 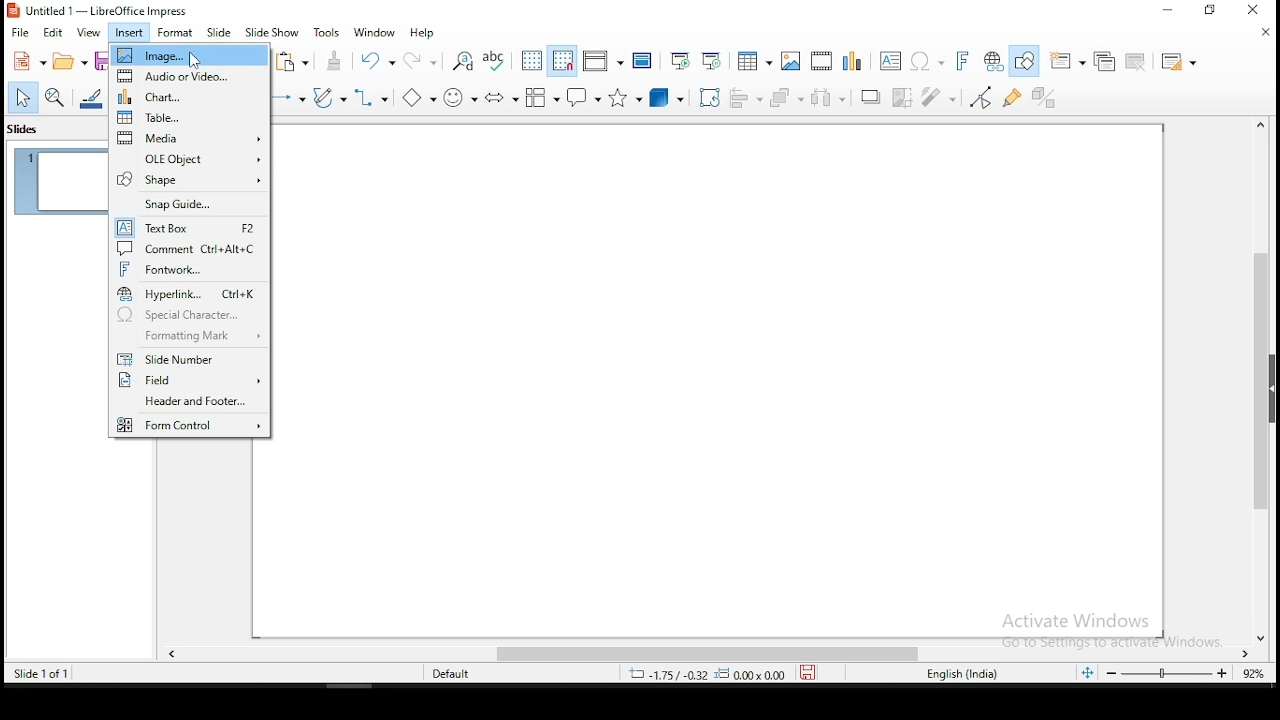 I want to click on crop image, so click(x=943, y=97).